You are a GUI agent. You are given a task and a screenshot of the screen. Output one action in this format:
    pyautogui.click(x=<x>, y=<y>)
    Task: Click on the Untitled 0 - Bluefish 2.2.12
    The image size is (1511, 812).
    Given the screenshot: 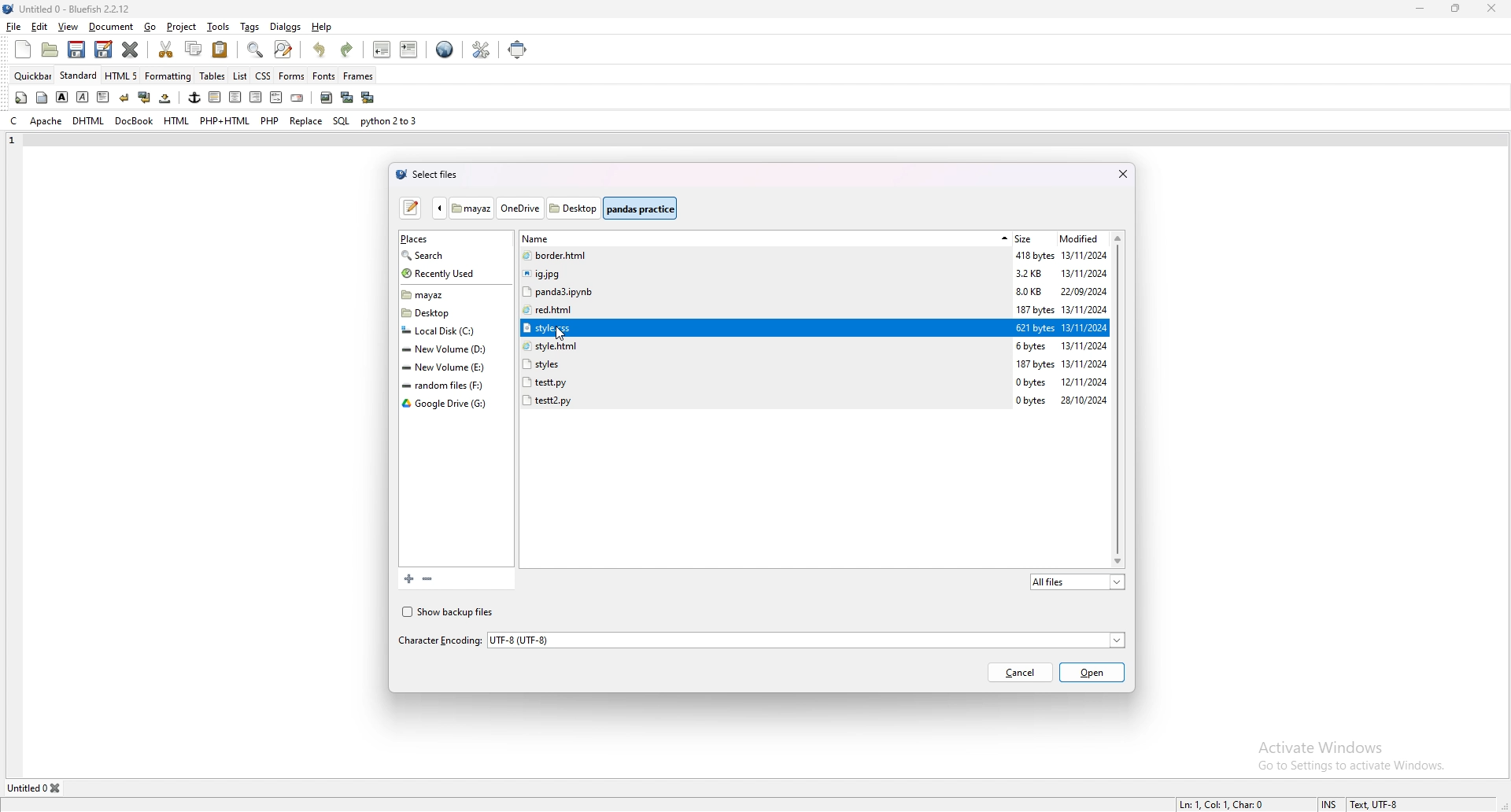 What is the action you would take?
    pyautogui.click(x=76, y=8)
    